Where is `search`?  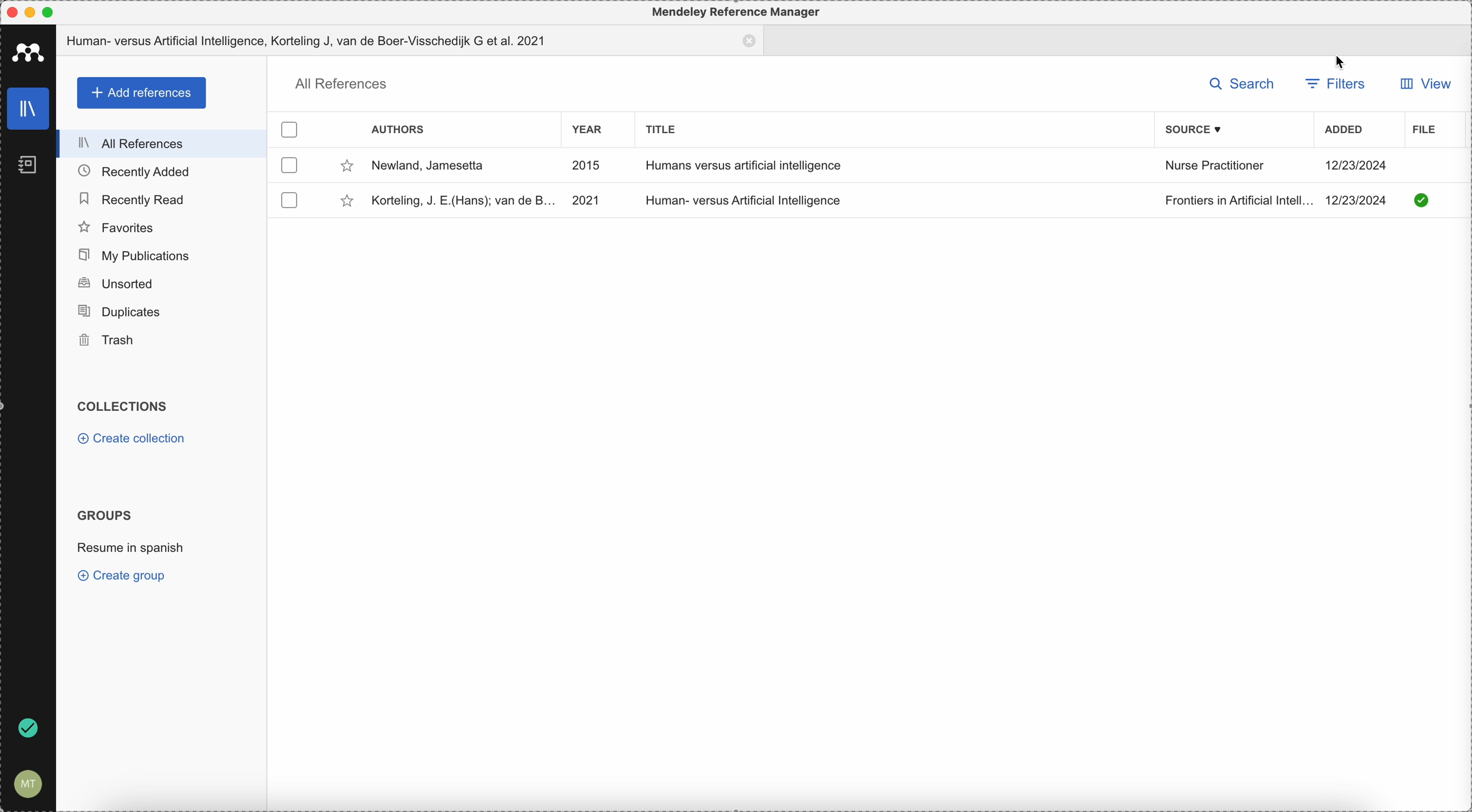
search is located at coordinates (1241, 83).